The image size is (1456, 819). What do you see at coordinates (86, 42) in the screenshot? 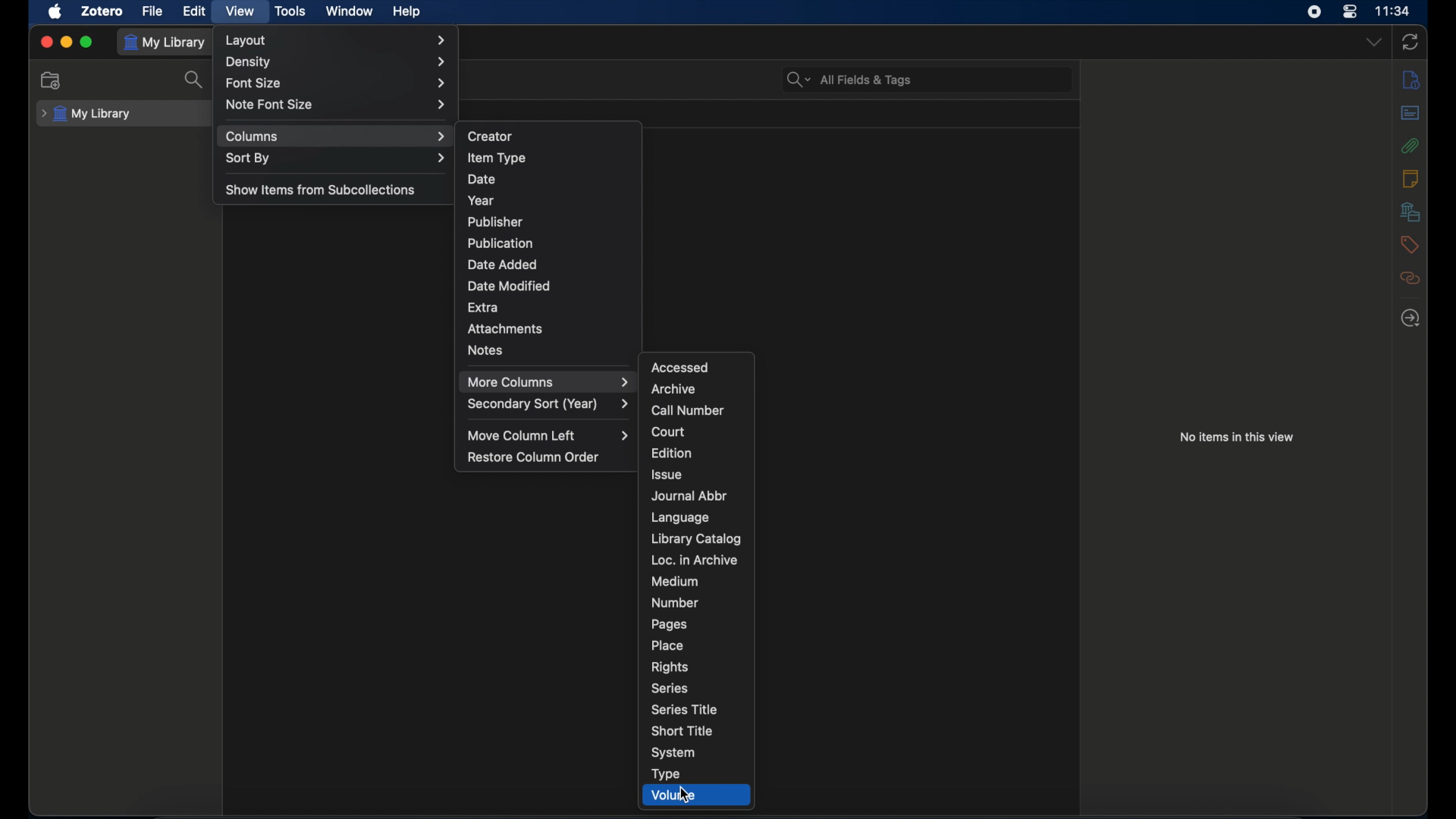
I see `maximize` at bounding box center [86, 42].